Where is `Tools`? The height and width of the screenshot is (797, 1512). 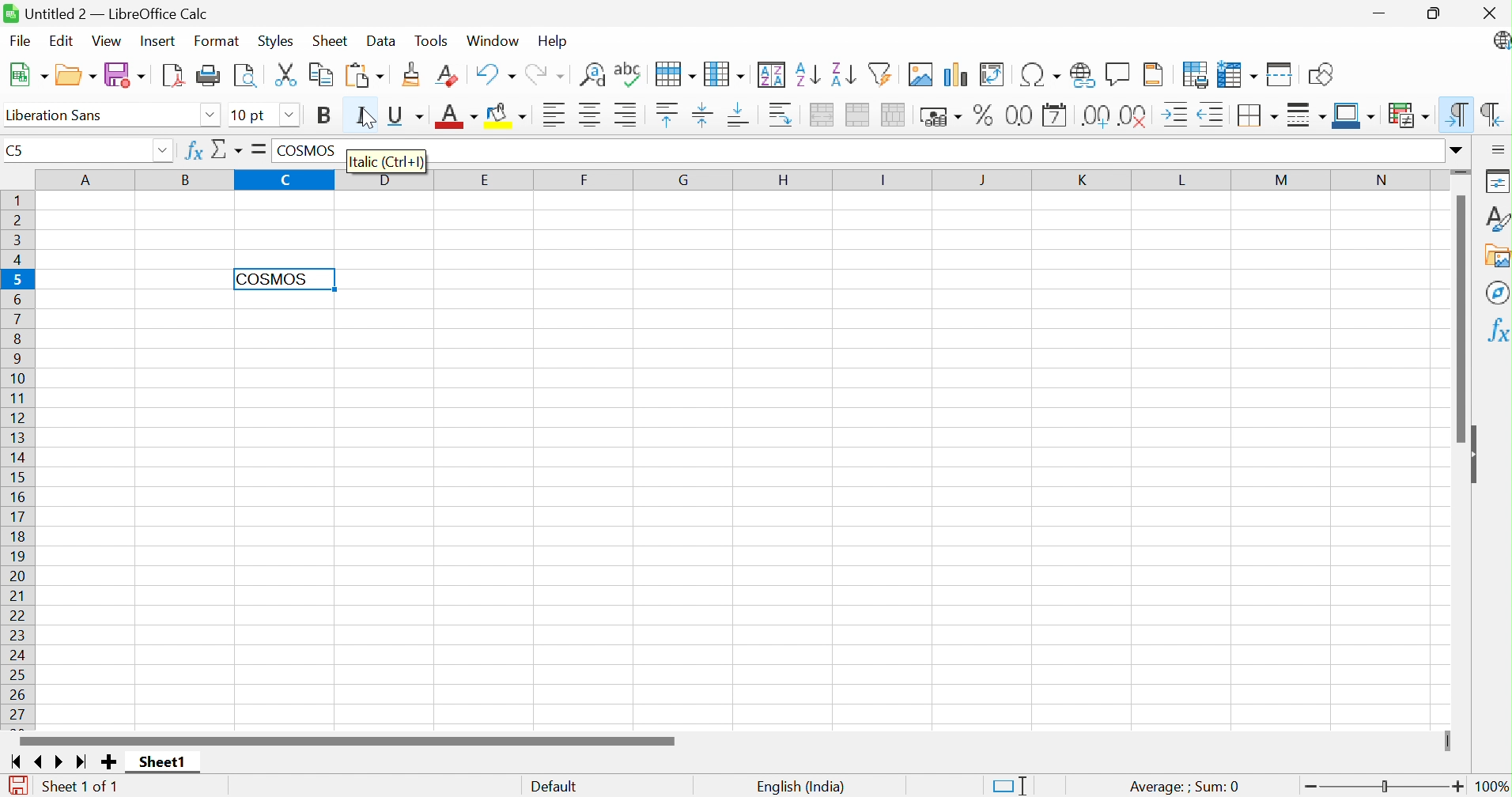 Tools is located at coordinates (436, 40).